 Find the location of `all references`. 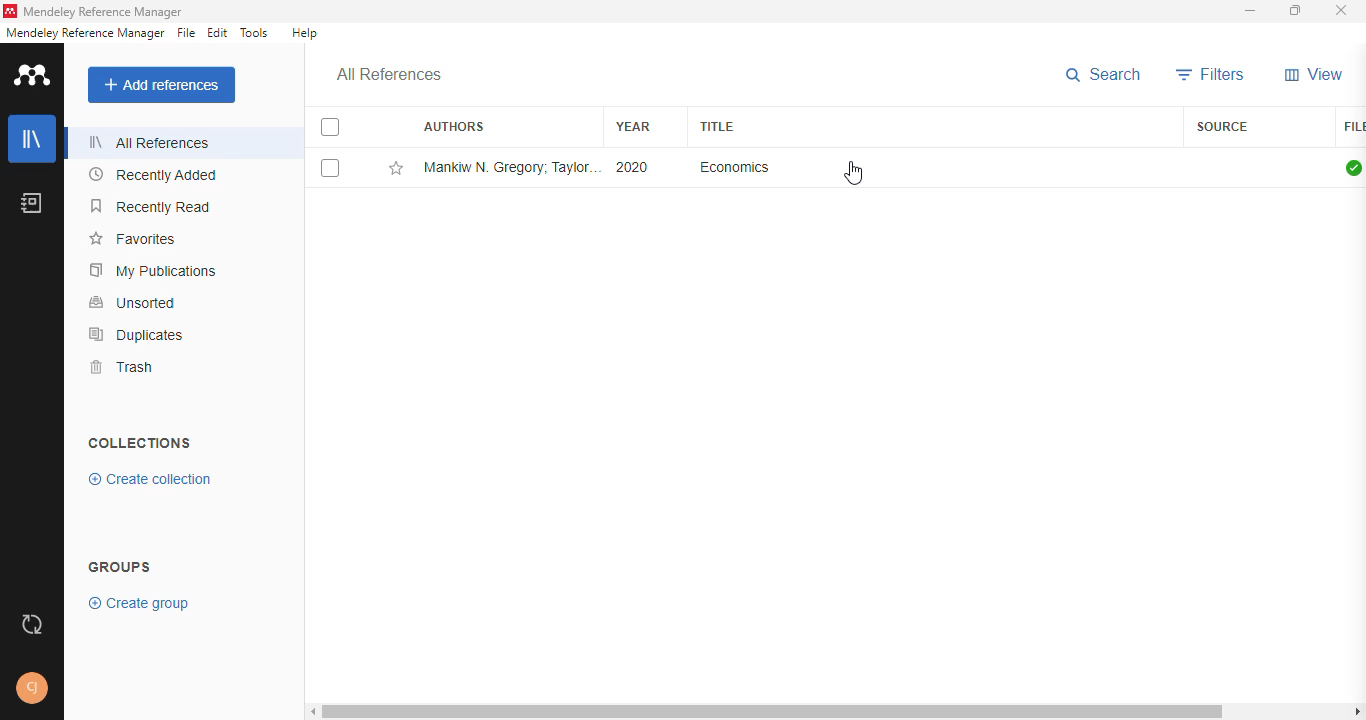

all references is located at coordinates (389, 74).